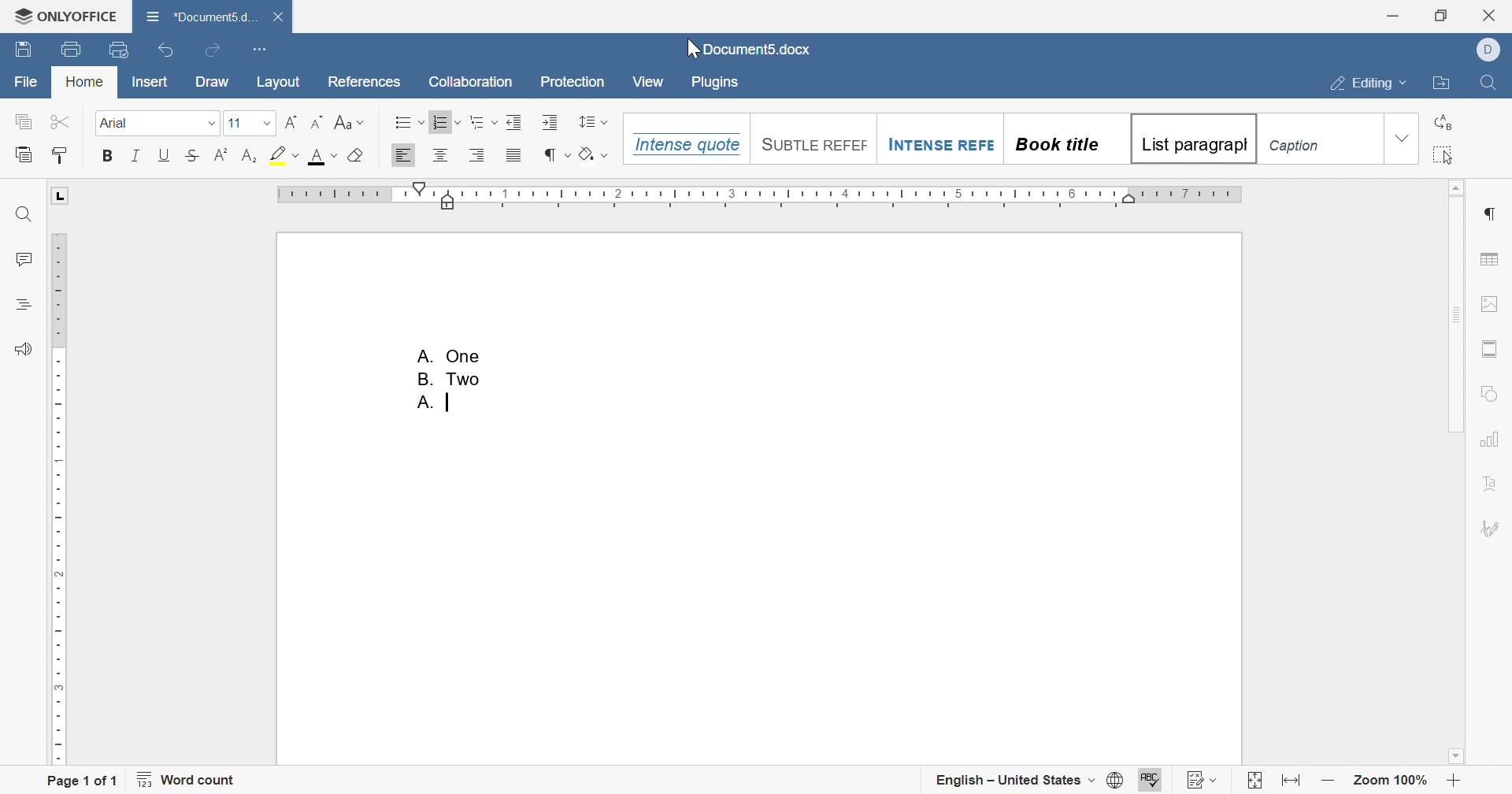 The height and width of the screenshot is (794, 1512). Describe the element at coordinates (210, 124) in the screenshot. I see `drop down` at that location.